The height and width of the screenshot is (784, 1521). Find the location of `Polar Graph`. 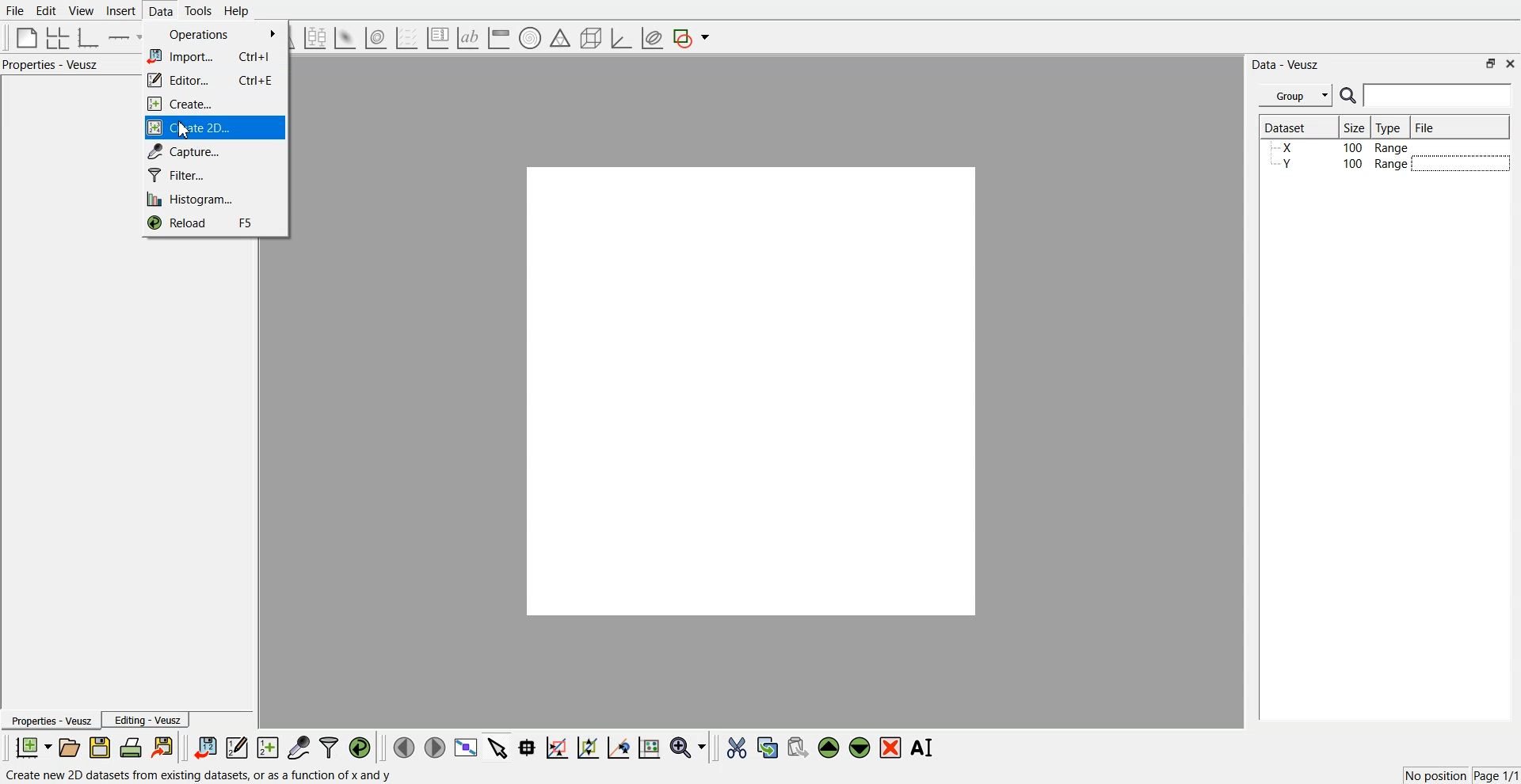

Polar Graph is located at coordinates (530, 38).